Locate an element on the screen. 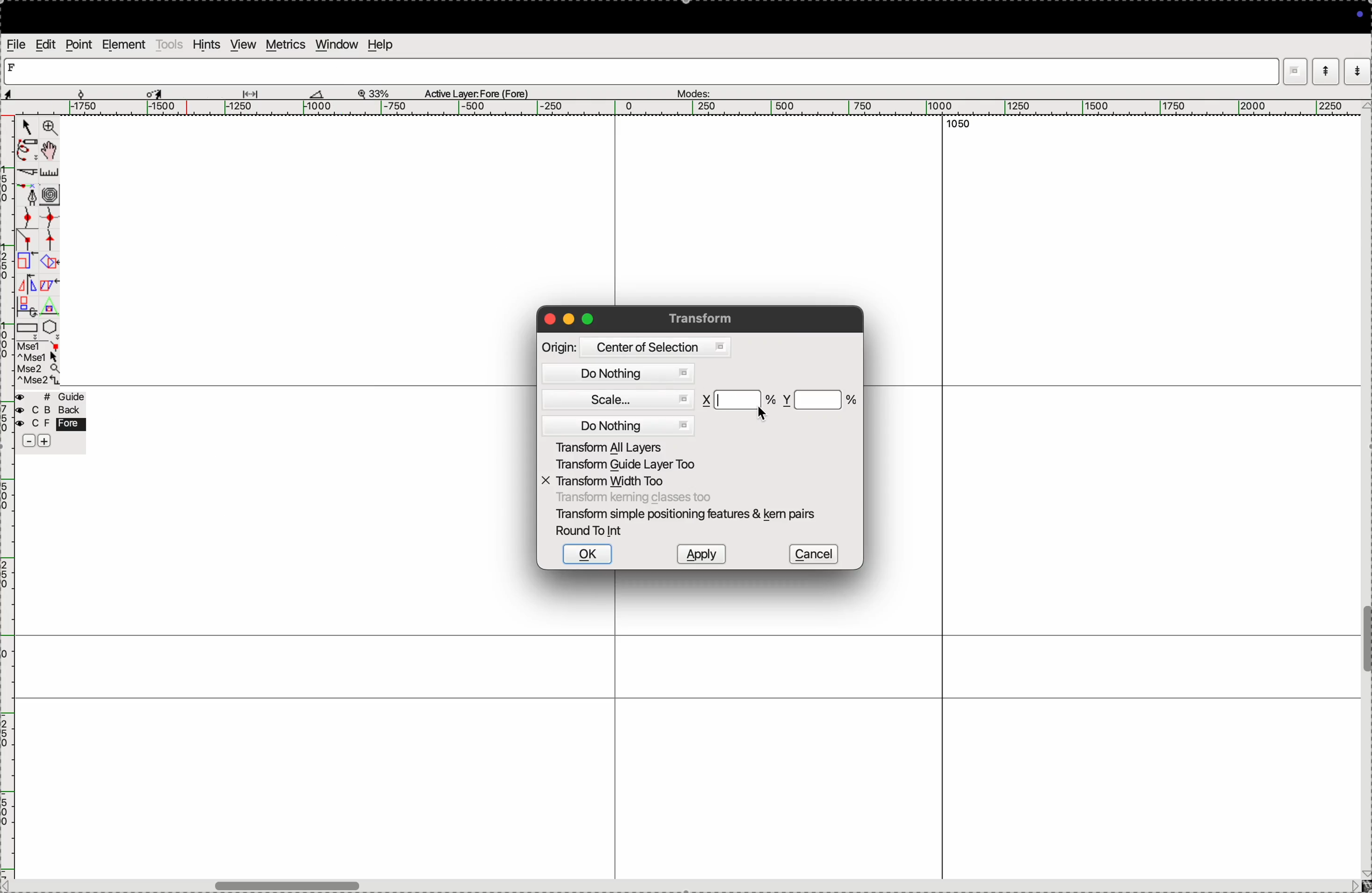 This screenshot has height=893, width=1372. Triangle is located at coordinates (49, 306).